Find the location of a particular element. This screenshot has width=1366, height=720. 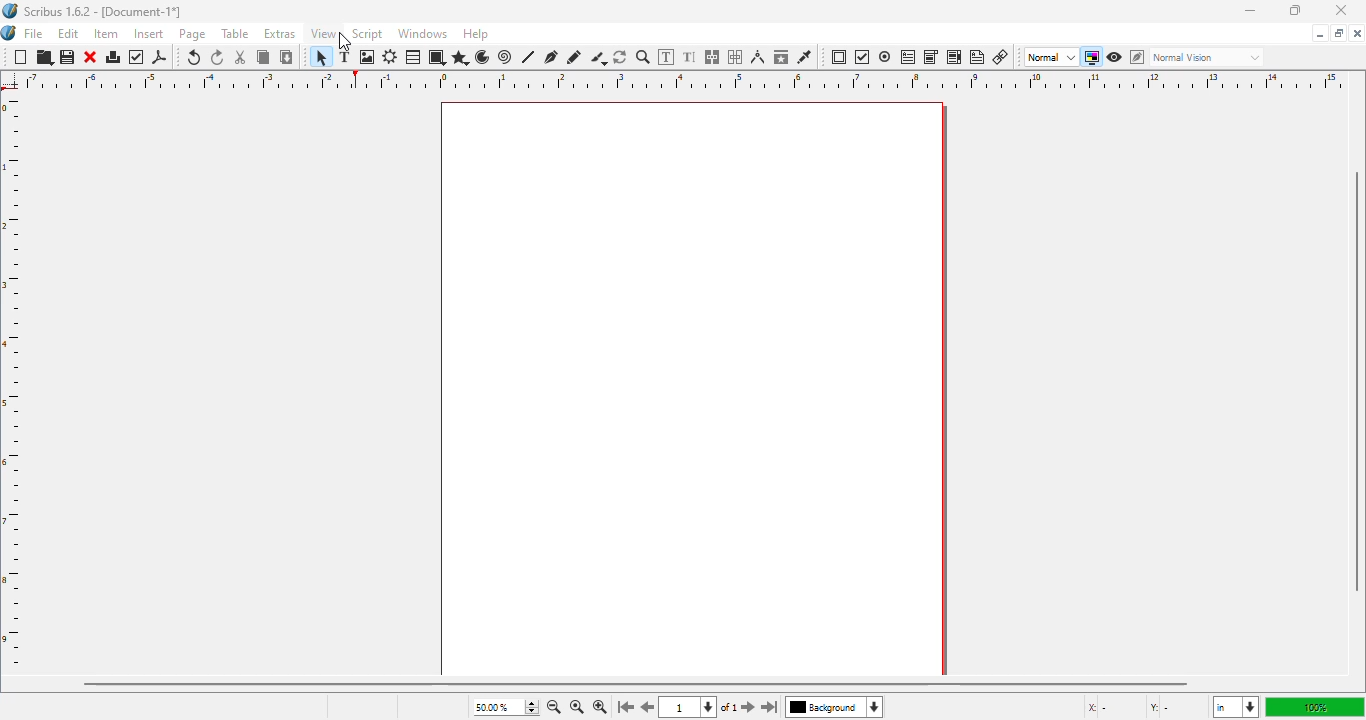

preflight verifier is located at coordinates (138, 57).